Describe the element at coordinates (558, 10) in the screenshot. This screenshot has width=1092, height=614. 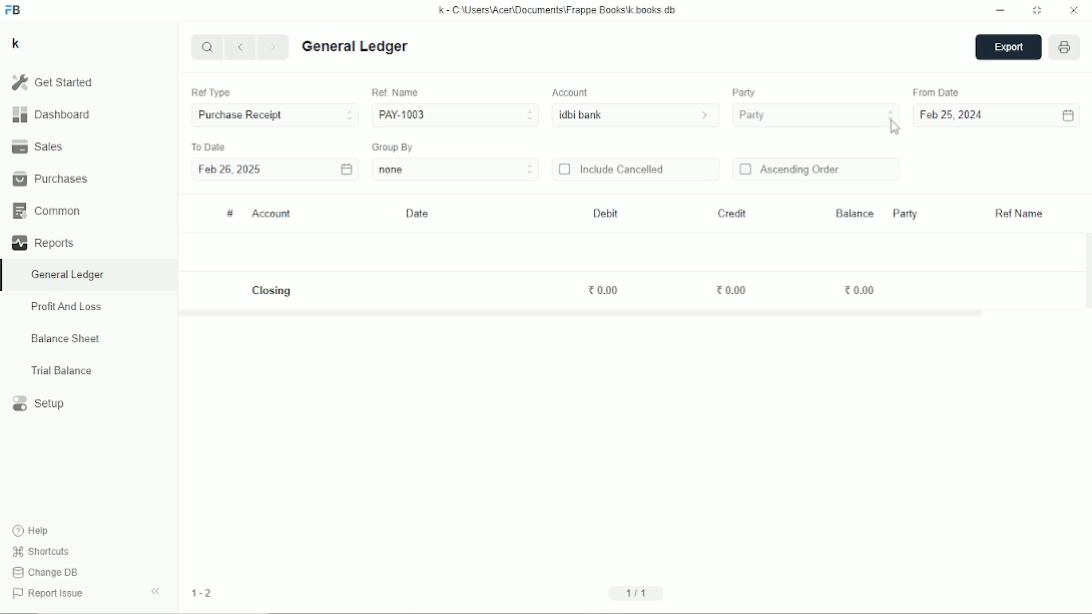
I see `k - C:\Users\Acer\Documents\Frappe books\k.books.db` at that location.